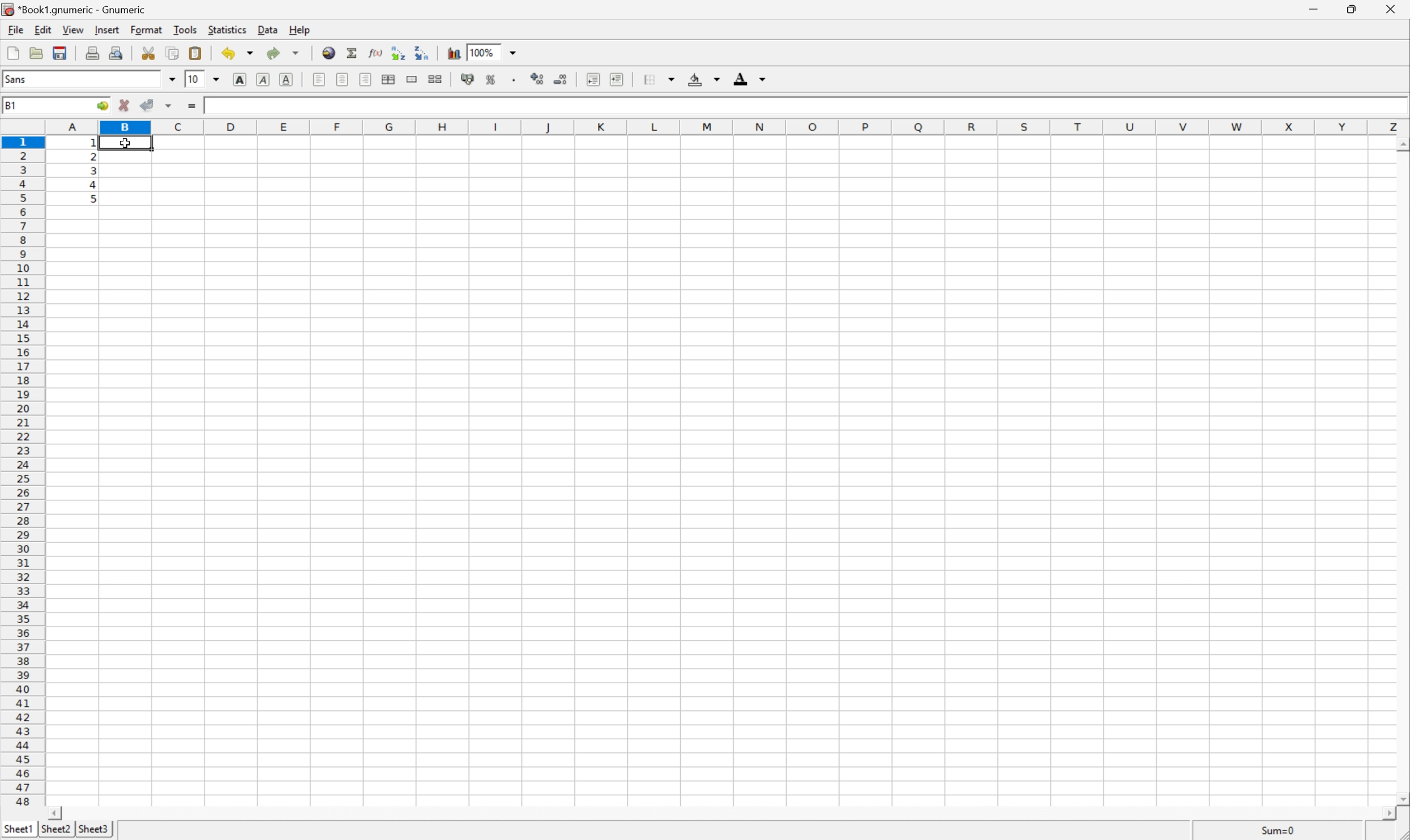  Describe the element at coordinates (116, 52) in the screenshot. I see `Print preview` at that location.